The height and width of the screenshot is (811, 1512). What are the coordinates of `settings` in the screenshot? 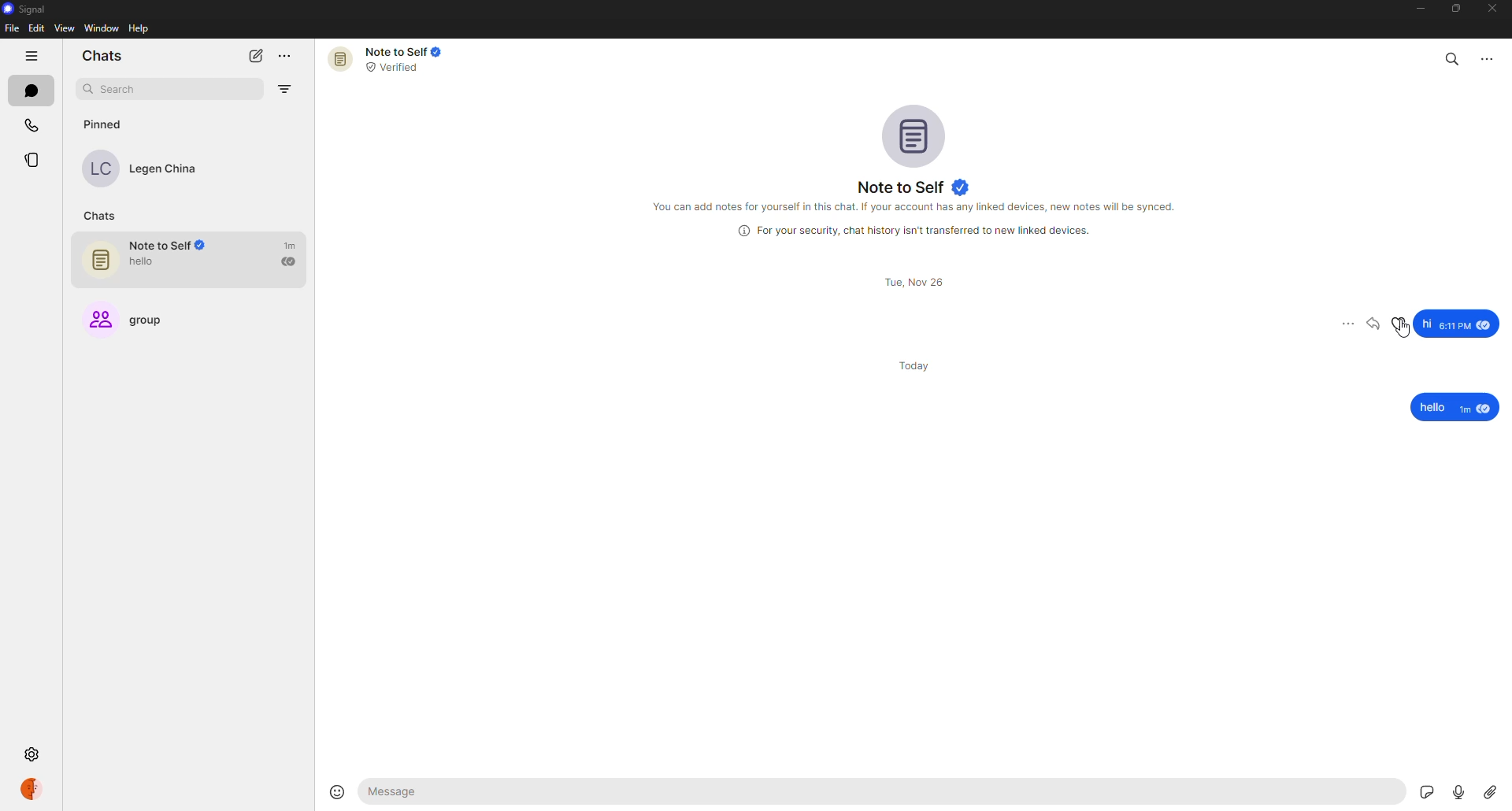 It's located at (30, 755).